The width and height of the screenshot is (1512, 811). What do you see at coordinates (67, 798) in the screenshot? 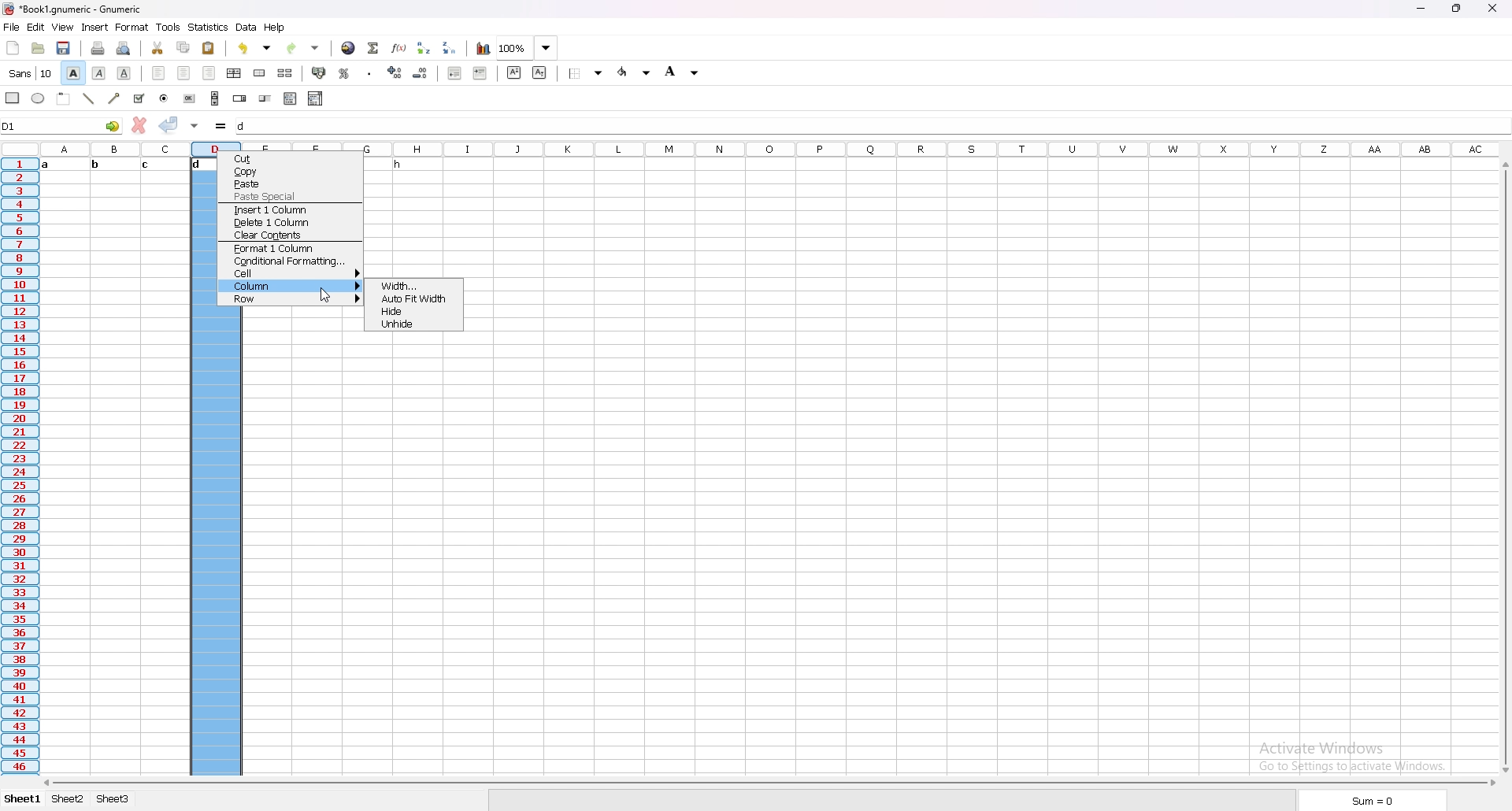
I see `sheet 2` at bounding box center [67, 798].